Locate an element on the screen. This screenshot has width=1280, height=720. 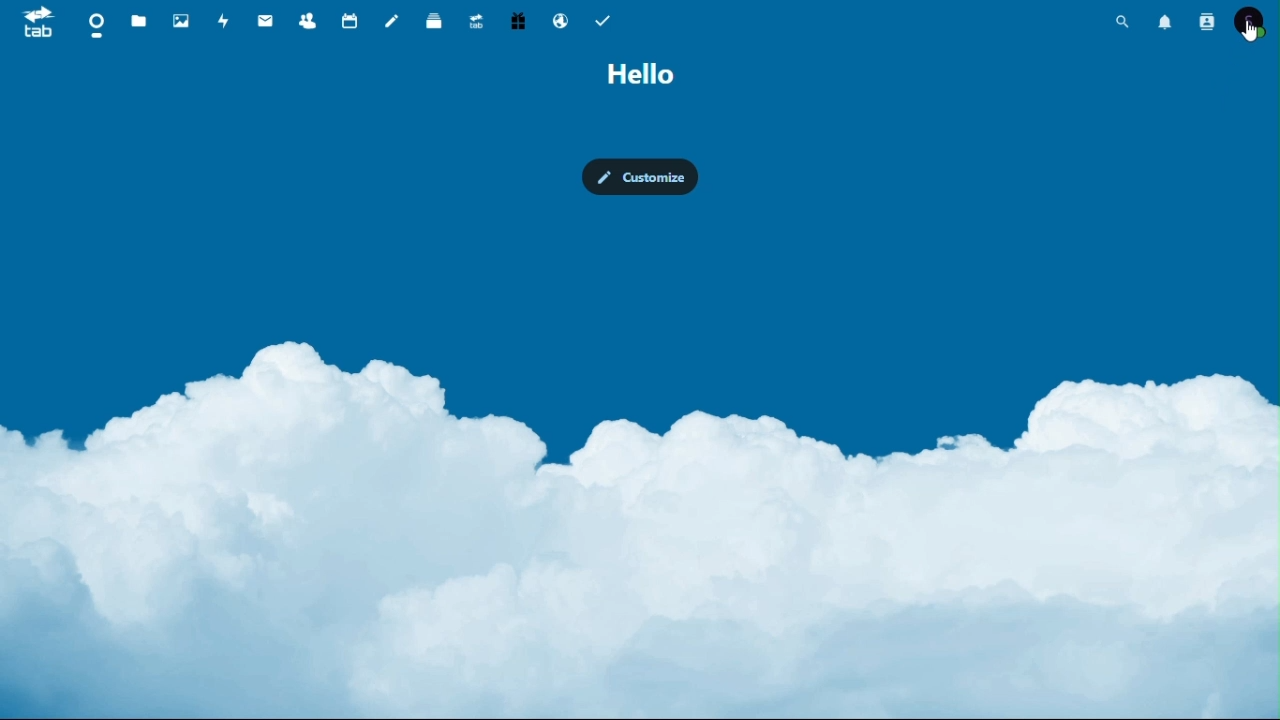
Contacts is located at coordinates (309, 18).